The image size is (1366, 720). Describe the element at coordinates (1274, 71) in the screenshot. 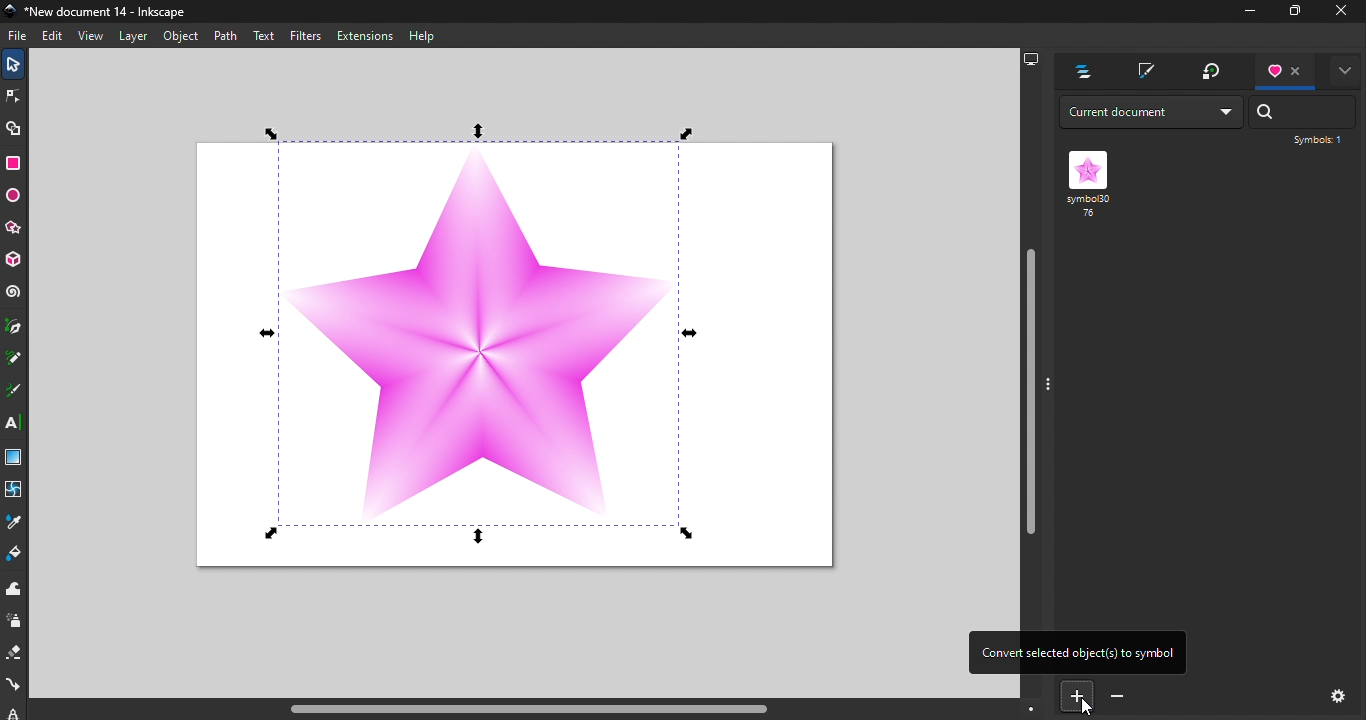

I see `Symbols` at that location.